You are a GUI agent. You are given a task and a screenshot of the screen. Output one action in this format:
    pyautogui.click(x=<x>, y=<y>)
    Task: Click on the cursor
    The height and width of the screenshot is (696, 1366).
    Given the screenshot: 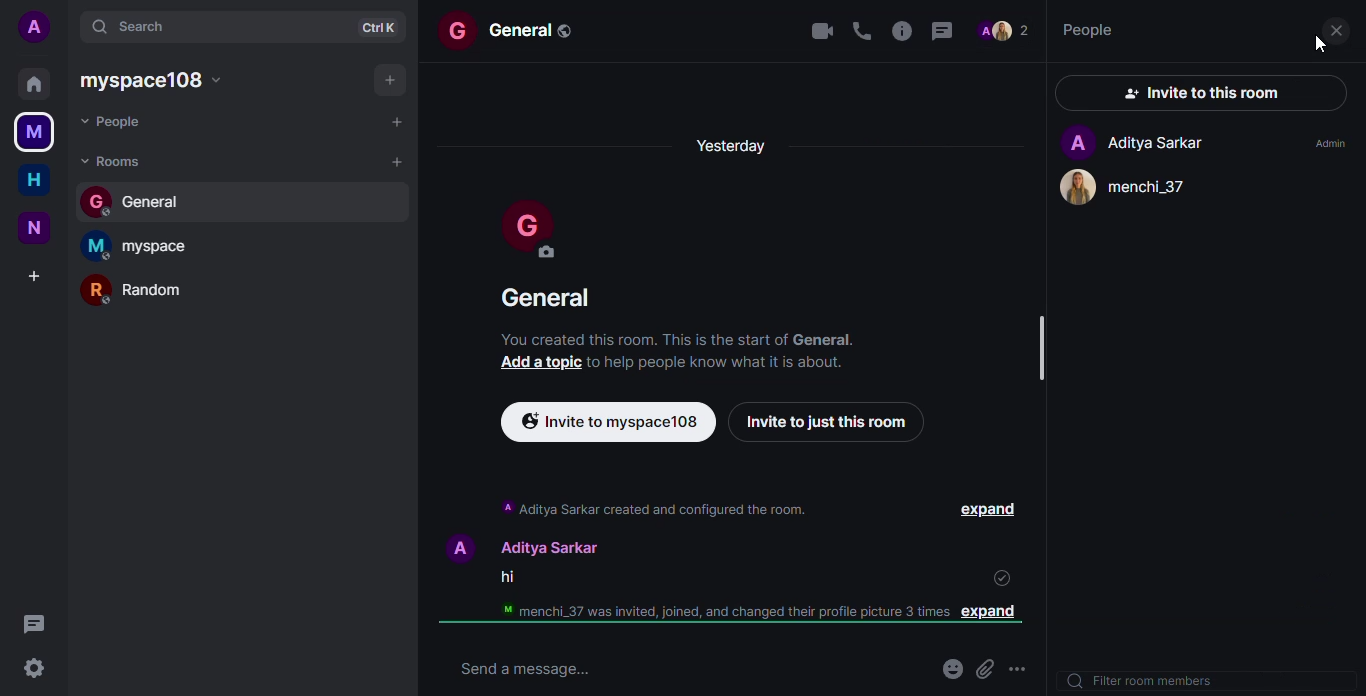 What is the action you would take?
    pyautogui.click(x=1312, y=47)
    